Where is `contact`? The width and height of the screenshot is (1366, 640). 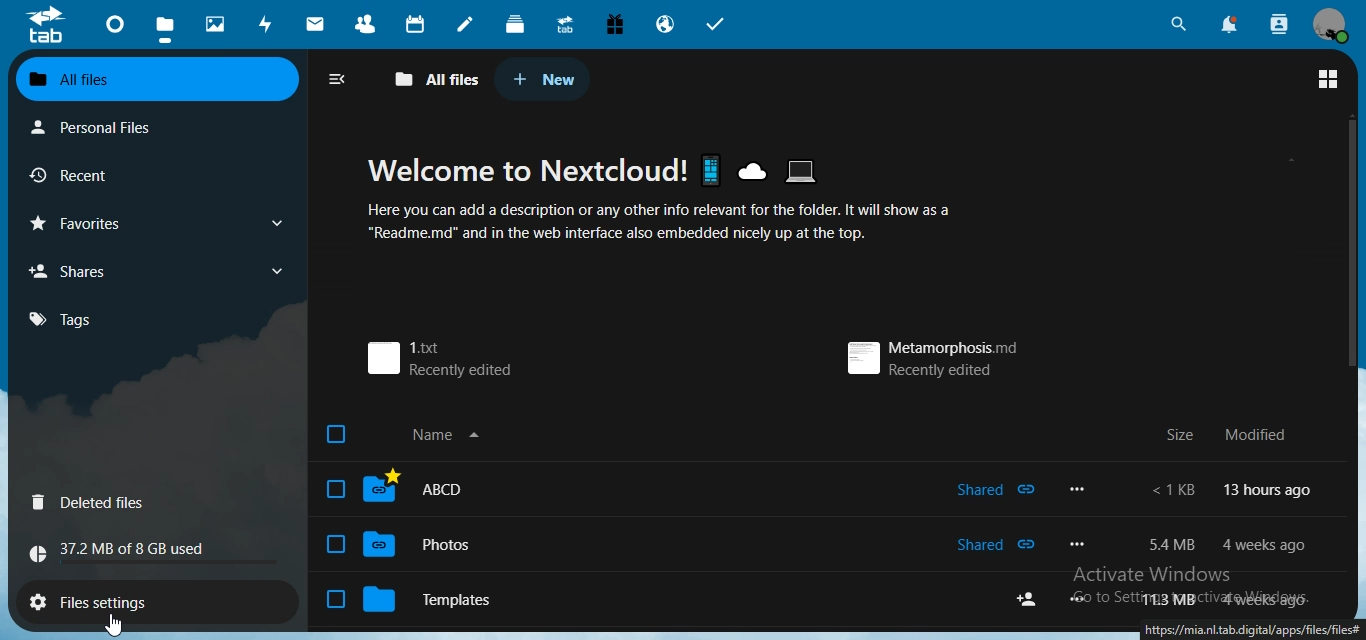
contact is located at coordinates (366, 22).